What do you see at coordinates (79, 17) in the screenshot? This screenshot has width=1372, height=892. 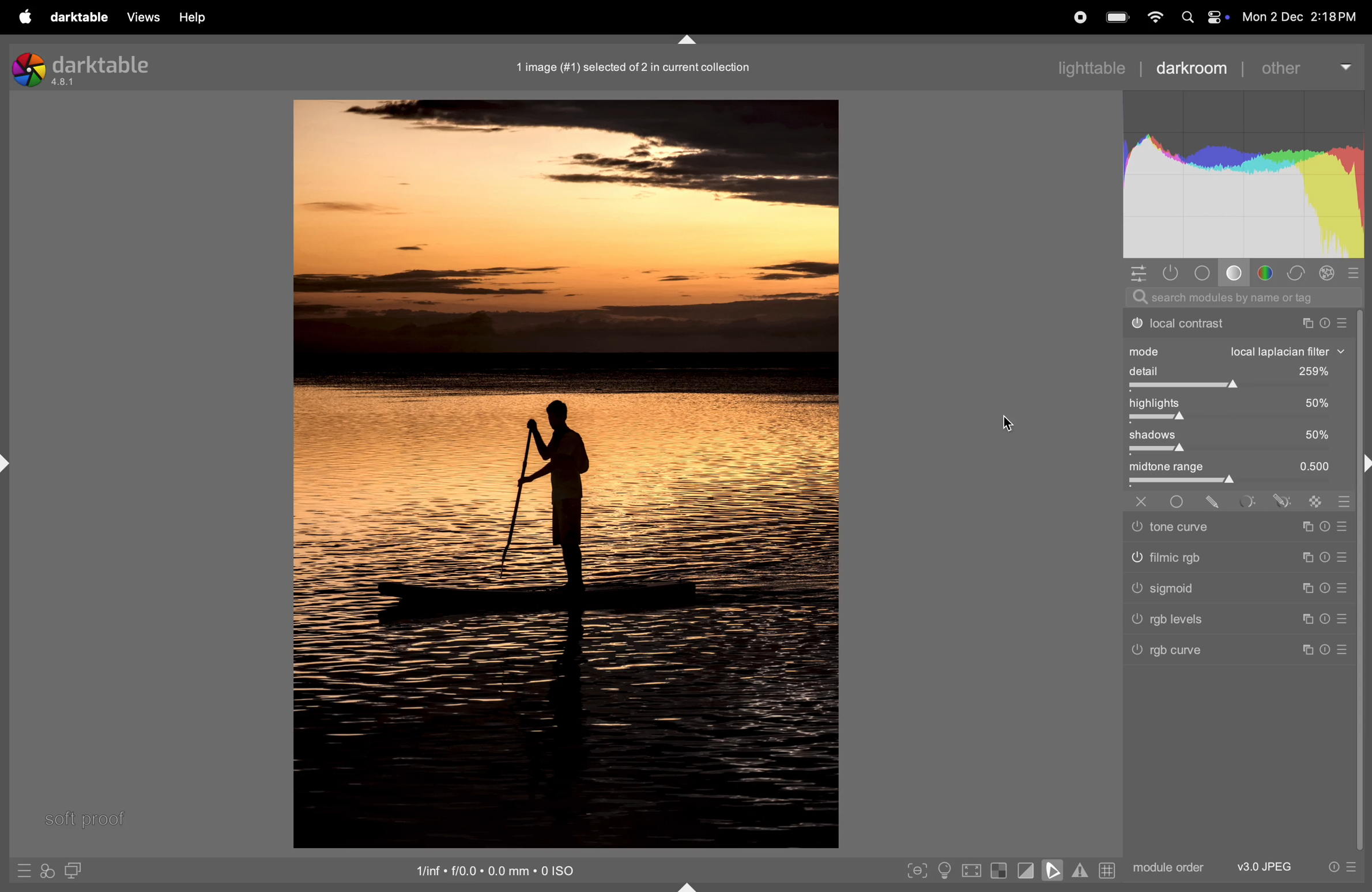 I see `darktable` at bounding box center [79, 17].